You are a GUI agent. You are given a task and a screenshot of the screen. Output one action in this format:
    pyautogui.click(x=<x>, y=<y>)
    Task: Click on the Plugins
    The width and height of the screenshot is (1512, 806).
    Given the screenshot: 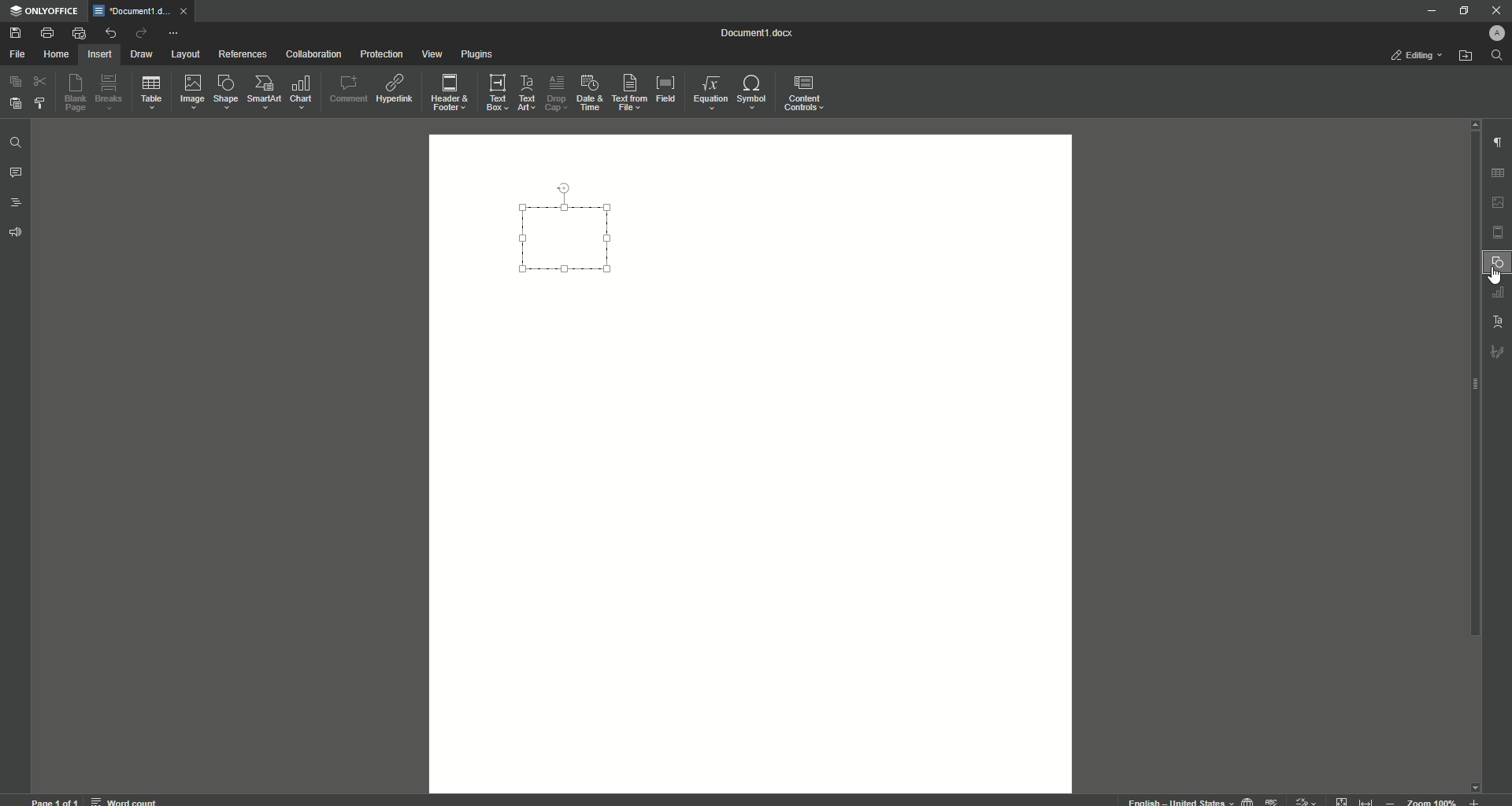 What is the action you would take?
    pyautogui.click(x=478, y=55)
    